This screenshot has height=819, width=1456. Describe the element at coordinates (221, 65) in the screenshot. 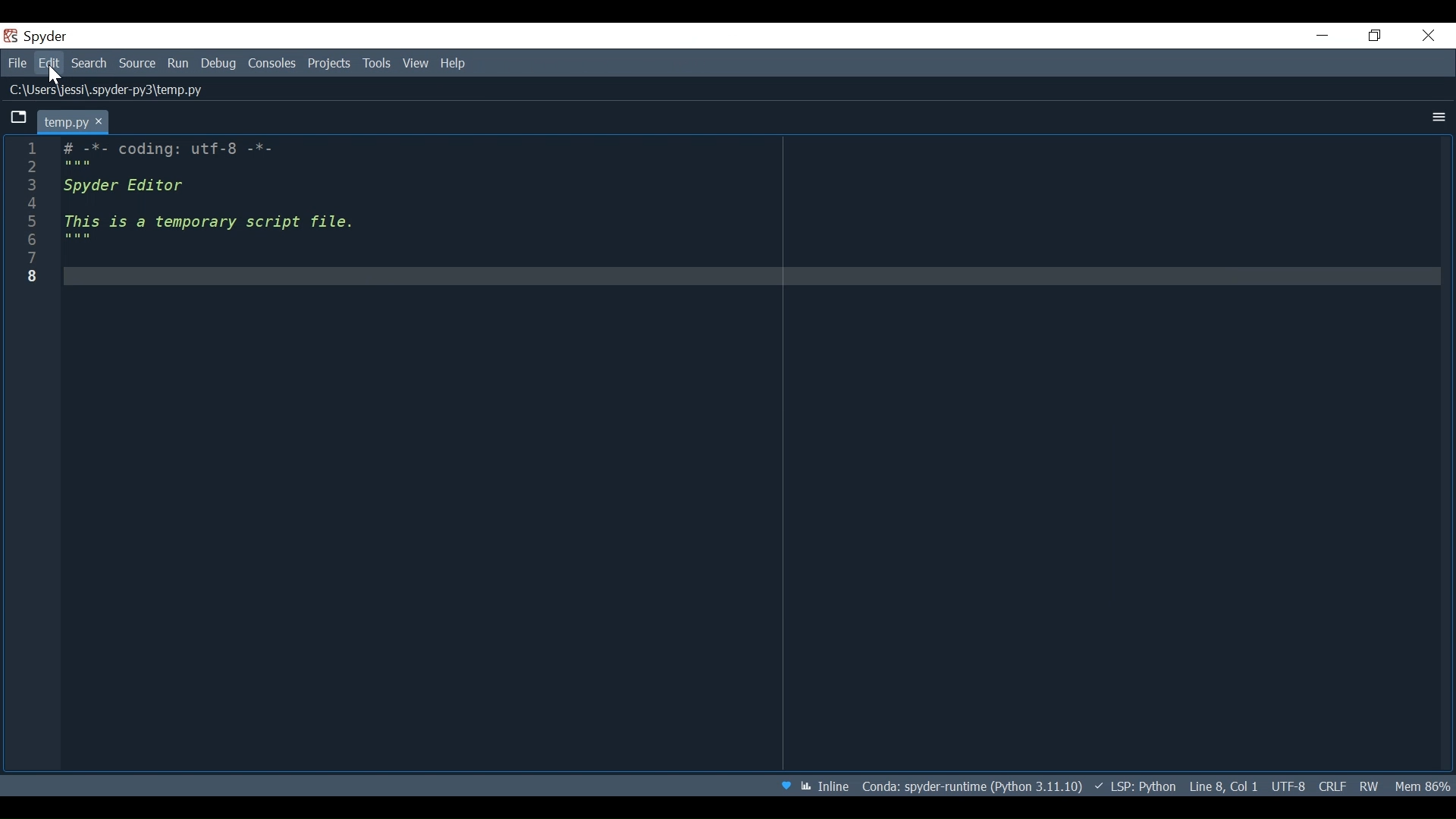

I see `Debug` at that location.